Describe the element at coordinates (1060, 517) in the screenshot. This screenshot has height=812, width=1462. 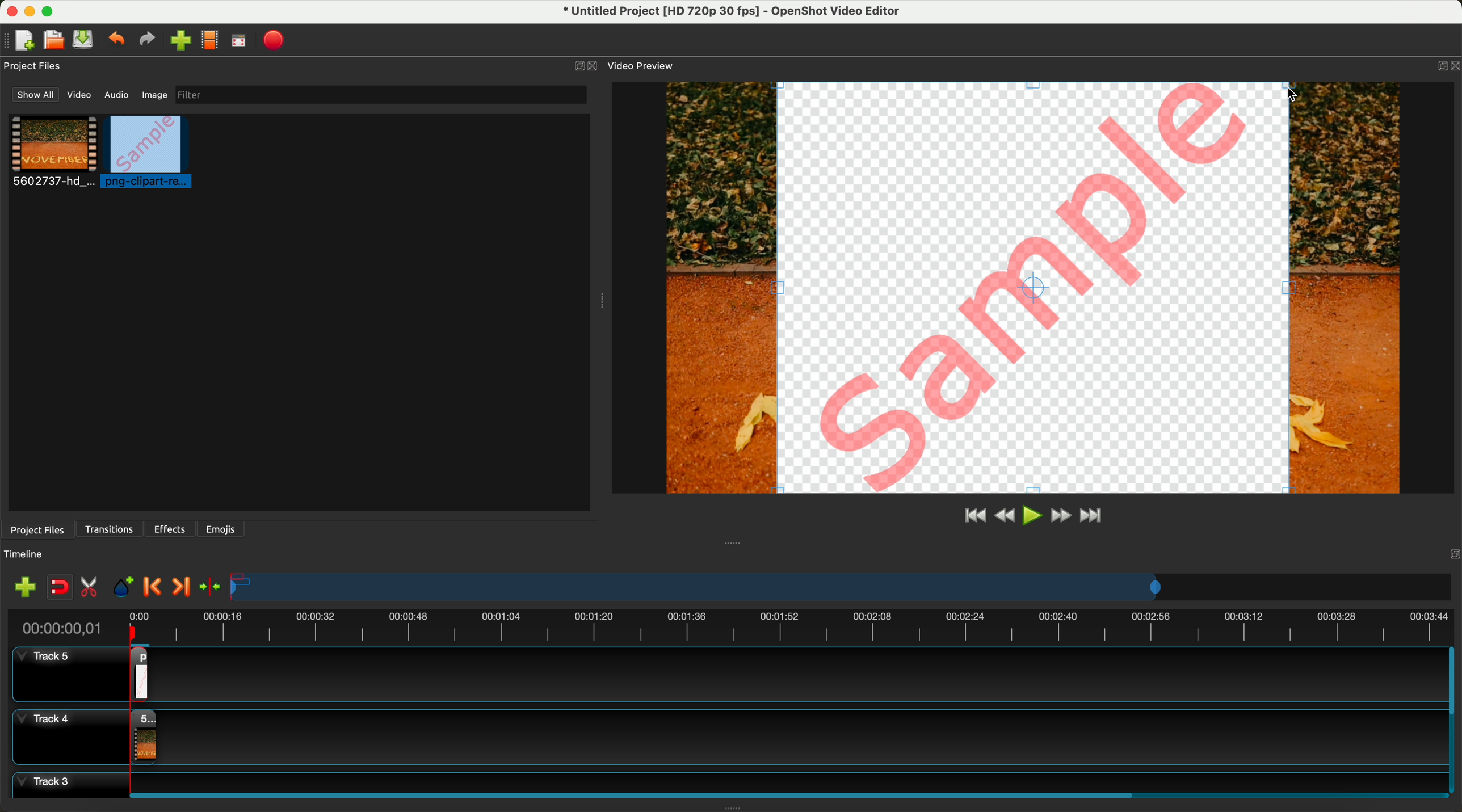
I see `fast foward` at that location.